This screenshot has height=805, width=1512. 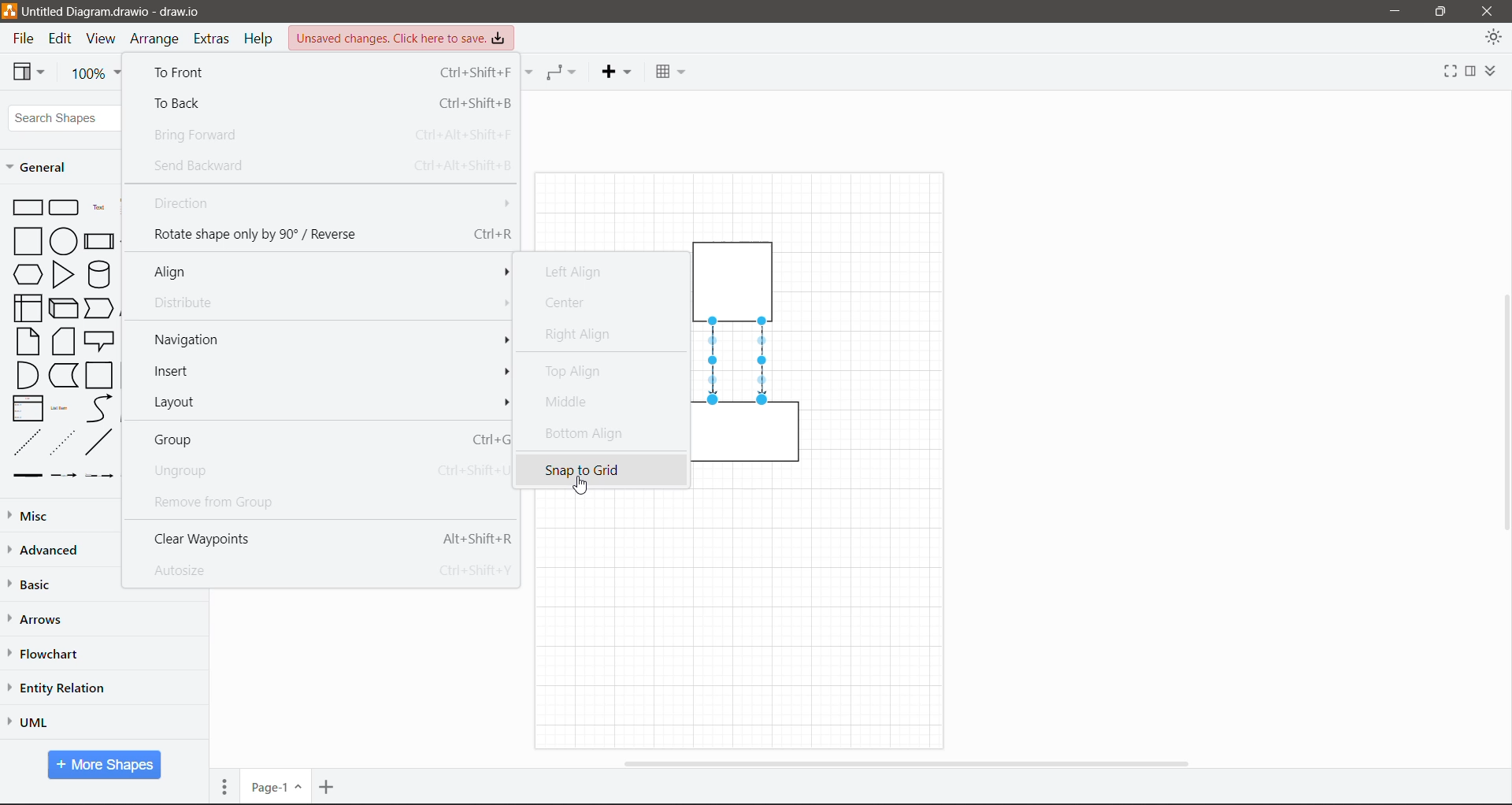 What do you see at coordinates (329, 165) in the screenshot?
I see `Send Backward` at bounding box center [329, 165].